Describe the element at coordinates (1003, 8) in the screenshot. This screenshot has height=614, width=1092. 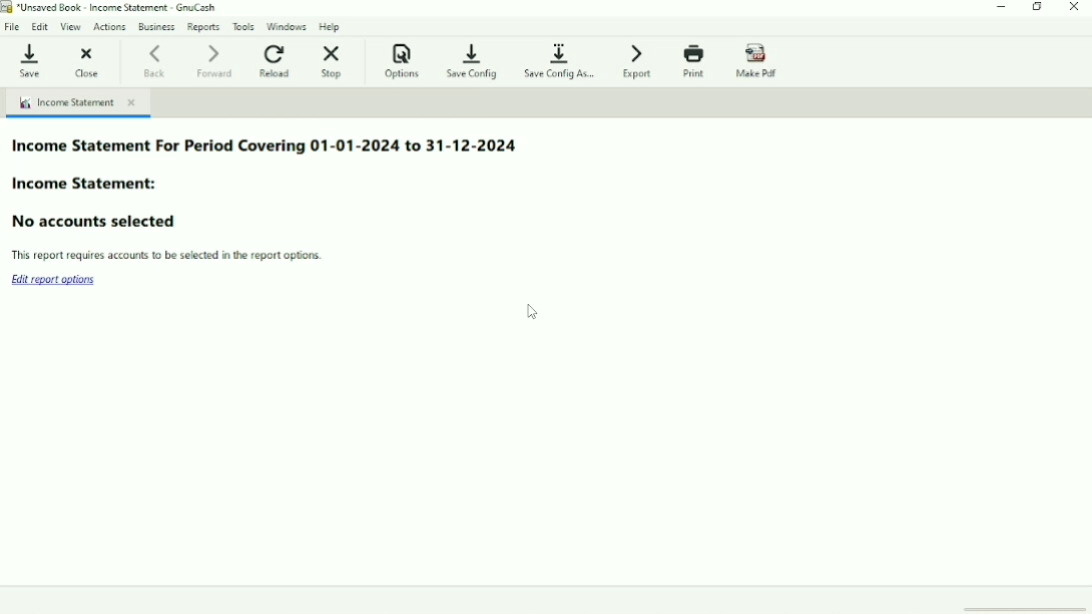
I see `Minimize` at that location.